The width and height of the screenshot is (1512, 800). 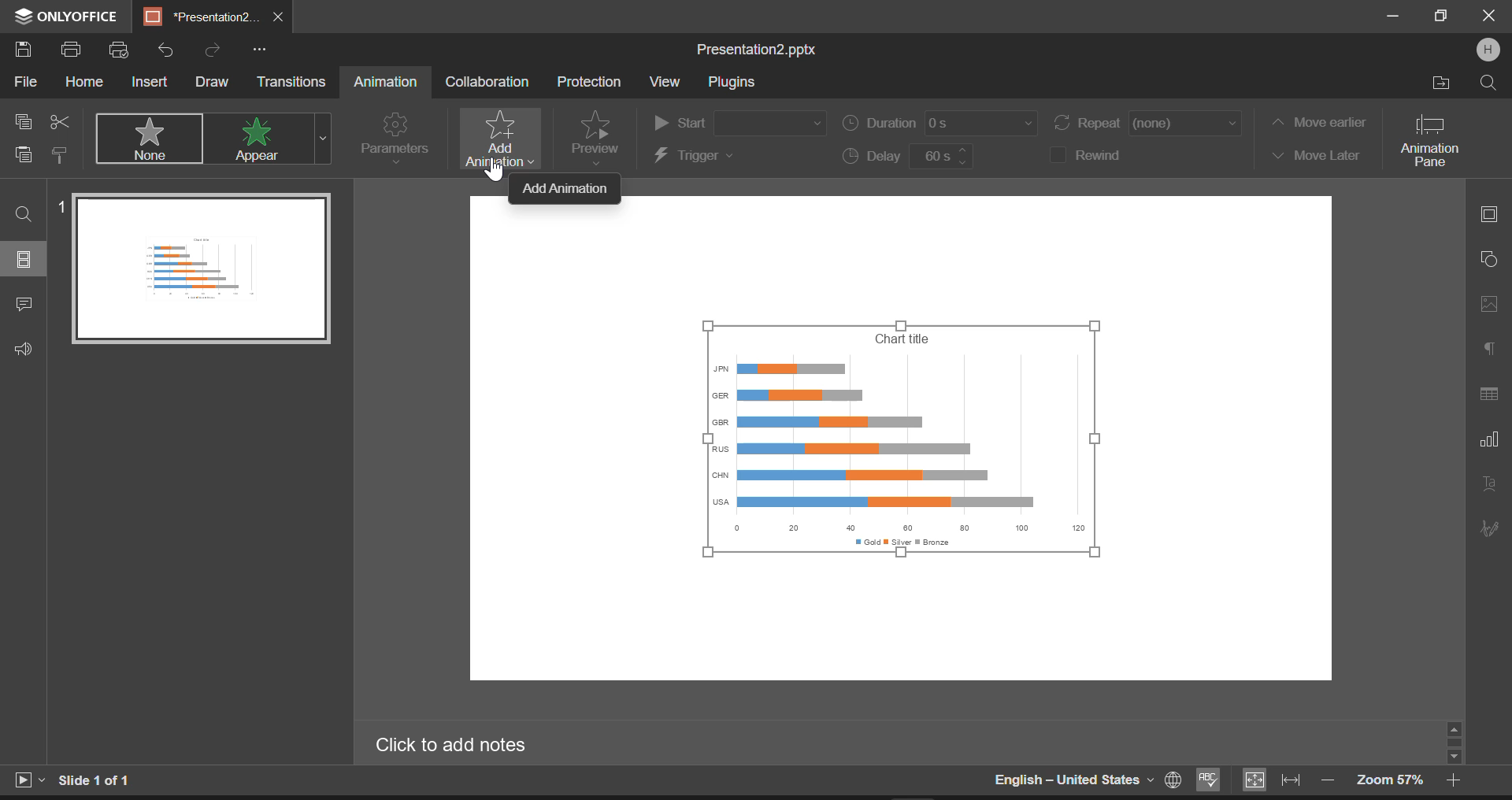 What do you see at coordinates (1148, 124) in the screenshot?
I see `Repeat` at bounding box center [1148, 124].